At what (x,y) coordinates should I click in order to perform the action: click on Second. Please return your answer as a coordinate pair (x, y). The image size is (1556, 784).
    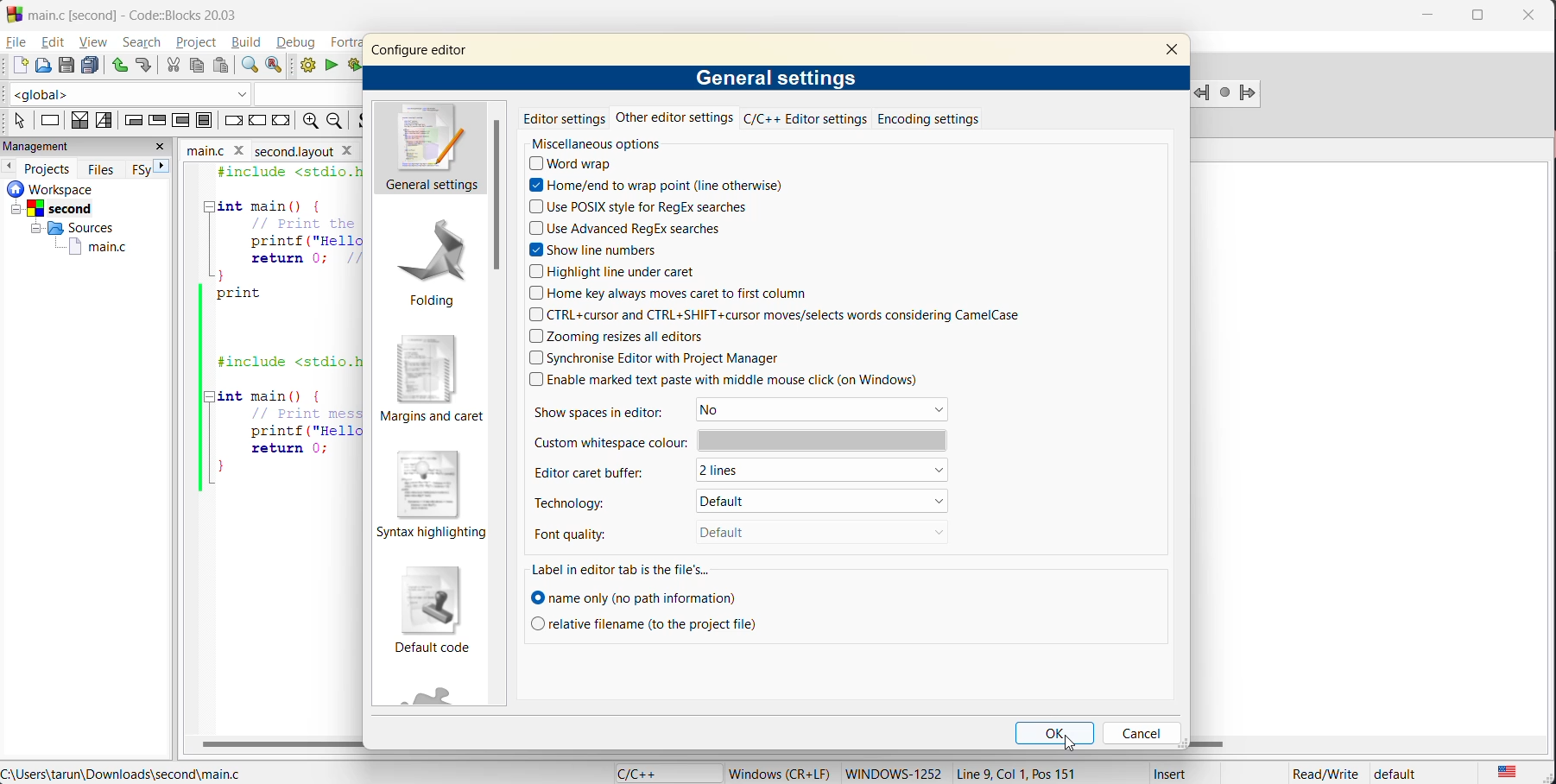
    Looking at the image, I should click on (67, 206).